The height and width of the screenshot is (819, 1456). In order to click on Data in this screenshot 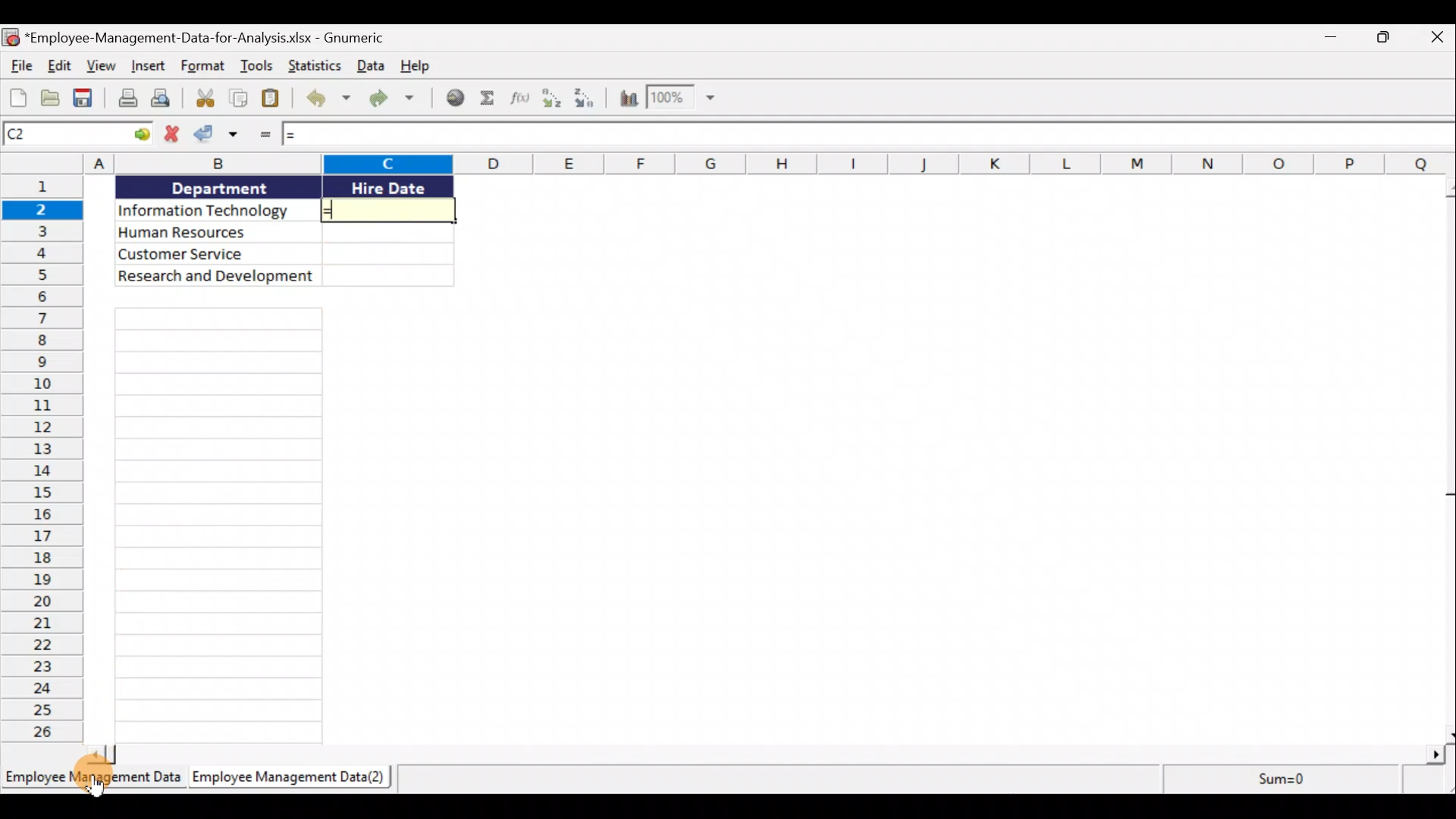, I will do `click(369, 68)`.